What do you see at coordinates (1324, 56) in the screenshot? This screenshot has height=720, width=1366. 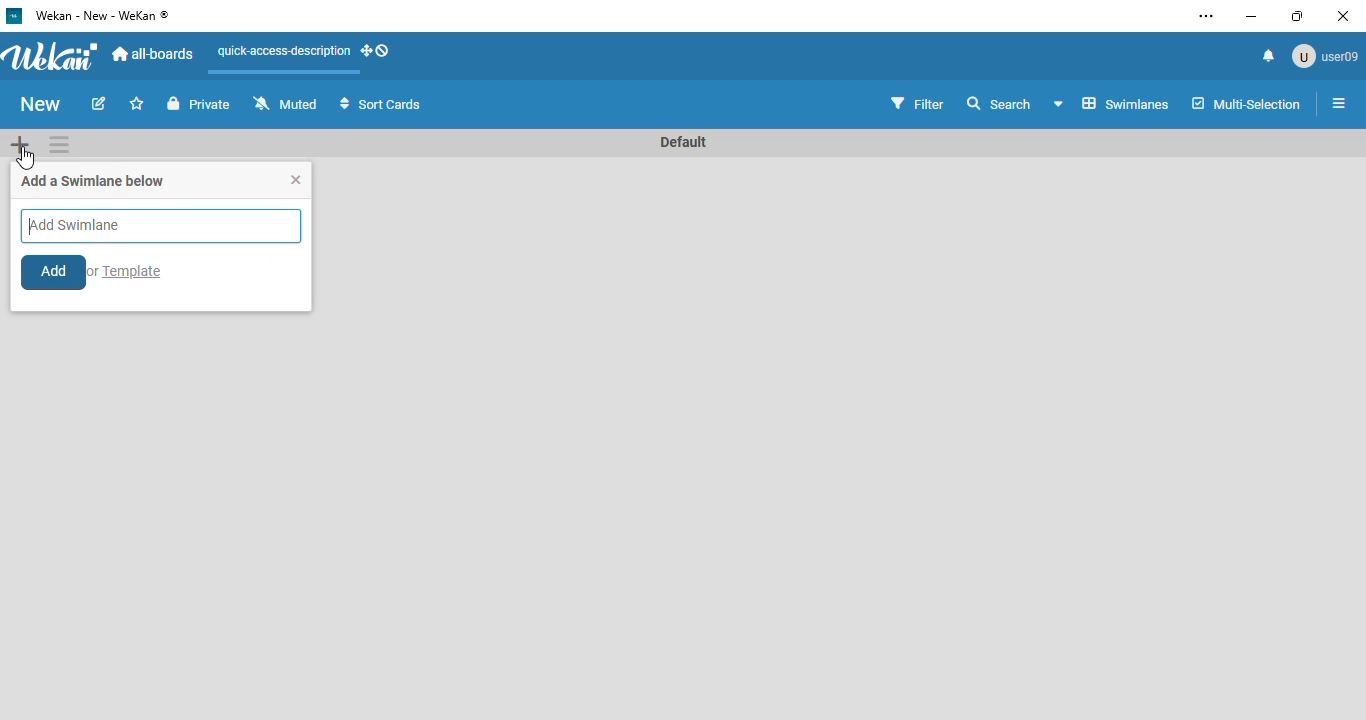 I see `user09` at bounding box center [1324, 56].